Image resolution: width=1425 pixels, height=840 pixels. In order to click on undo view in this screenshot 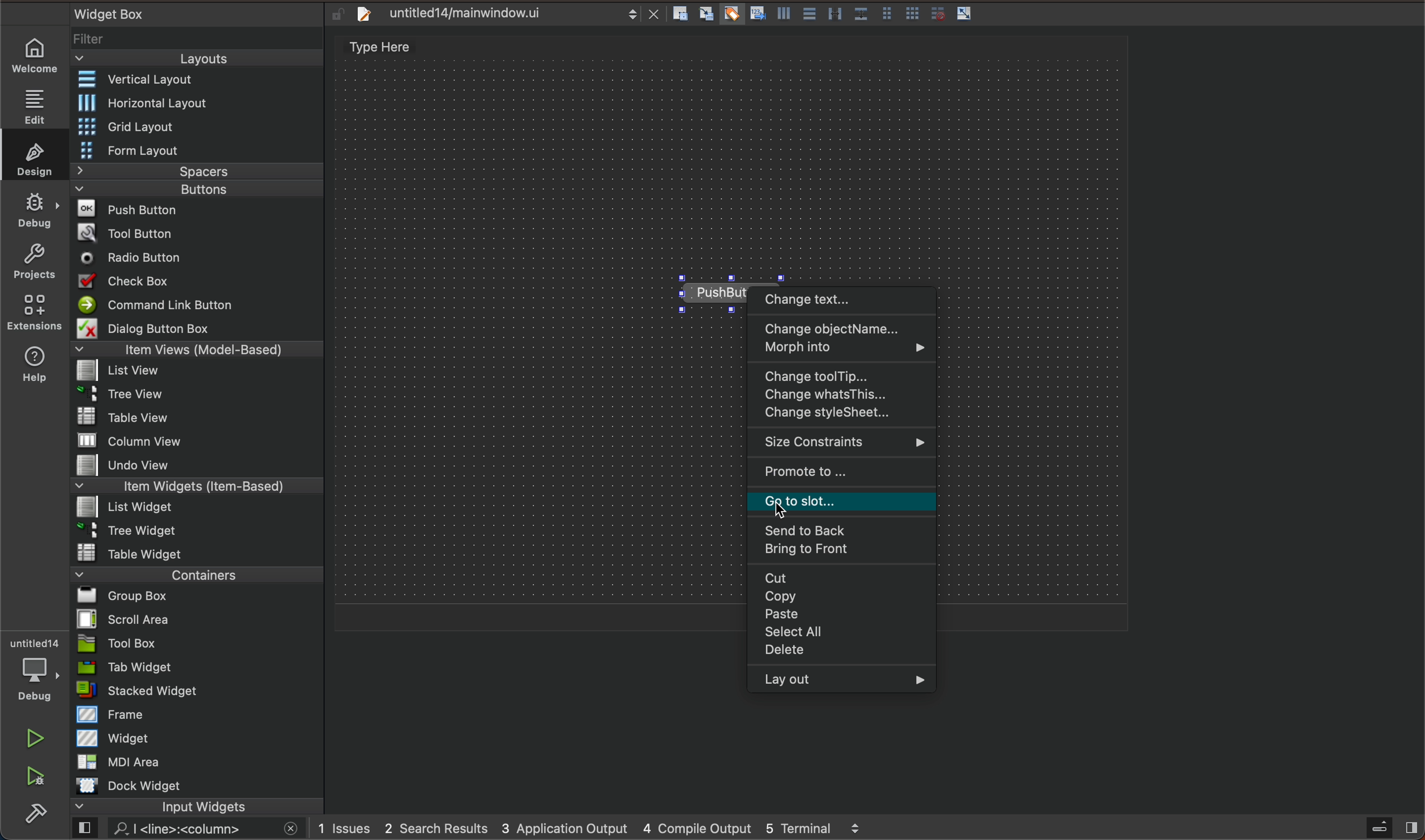, I will do `click(203, 467)`.